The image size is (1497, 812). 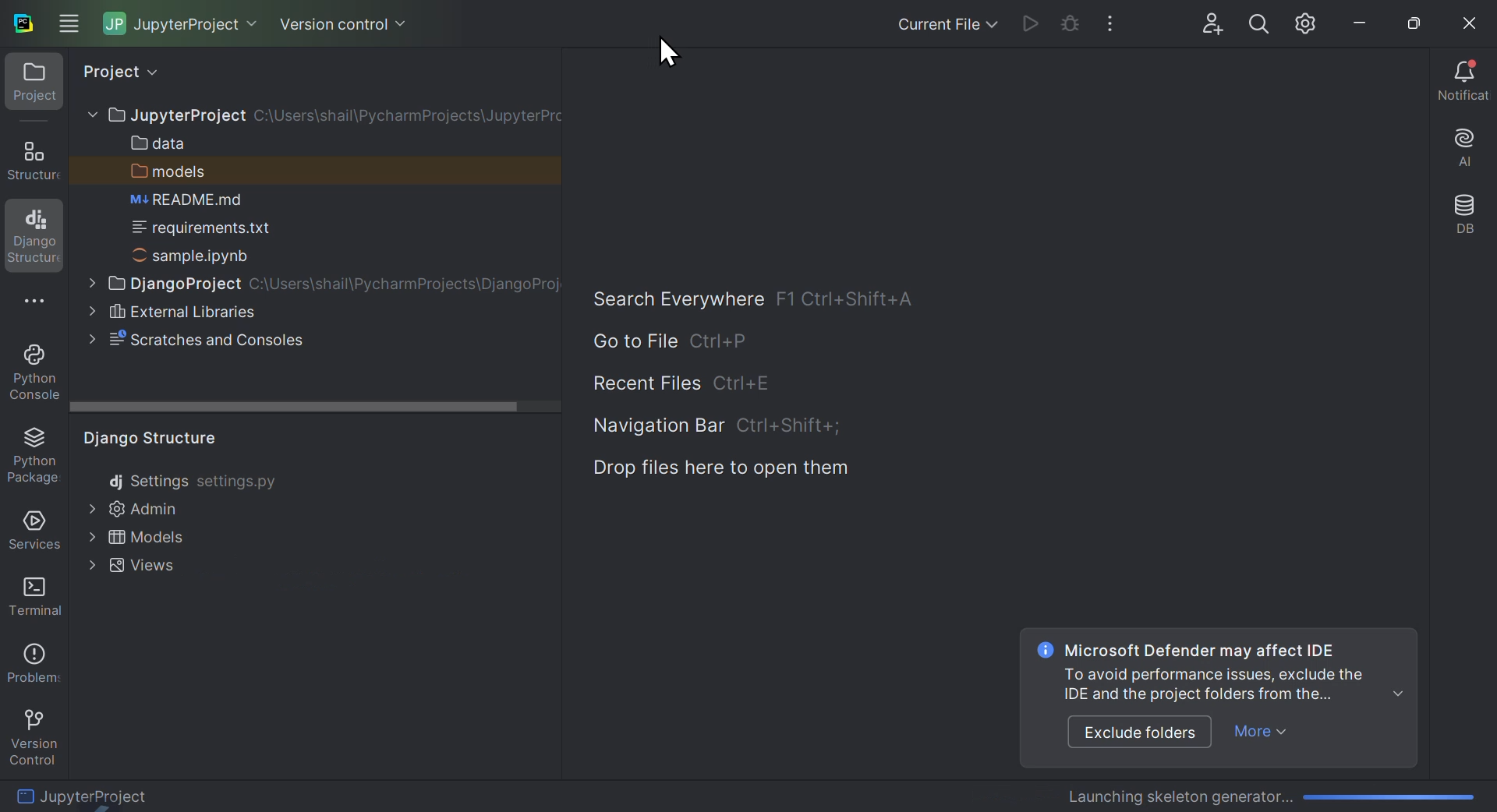 I want to click on Run project file, so click(x=1069, y=24).